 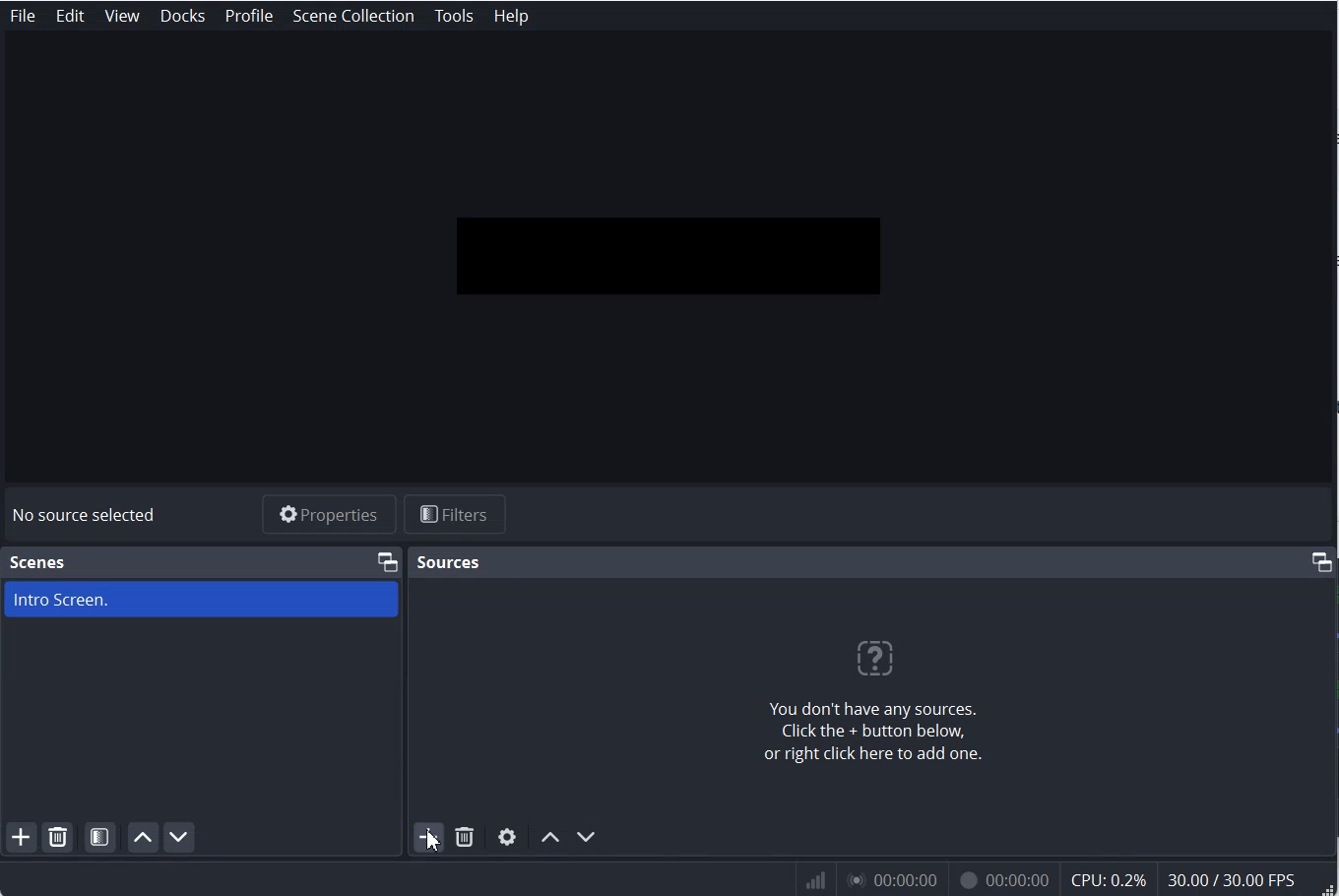 What do you see at coordinates (355, 15) in the screenshot?
I see `Scene Collection` at bounding box center [355, 15].